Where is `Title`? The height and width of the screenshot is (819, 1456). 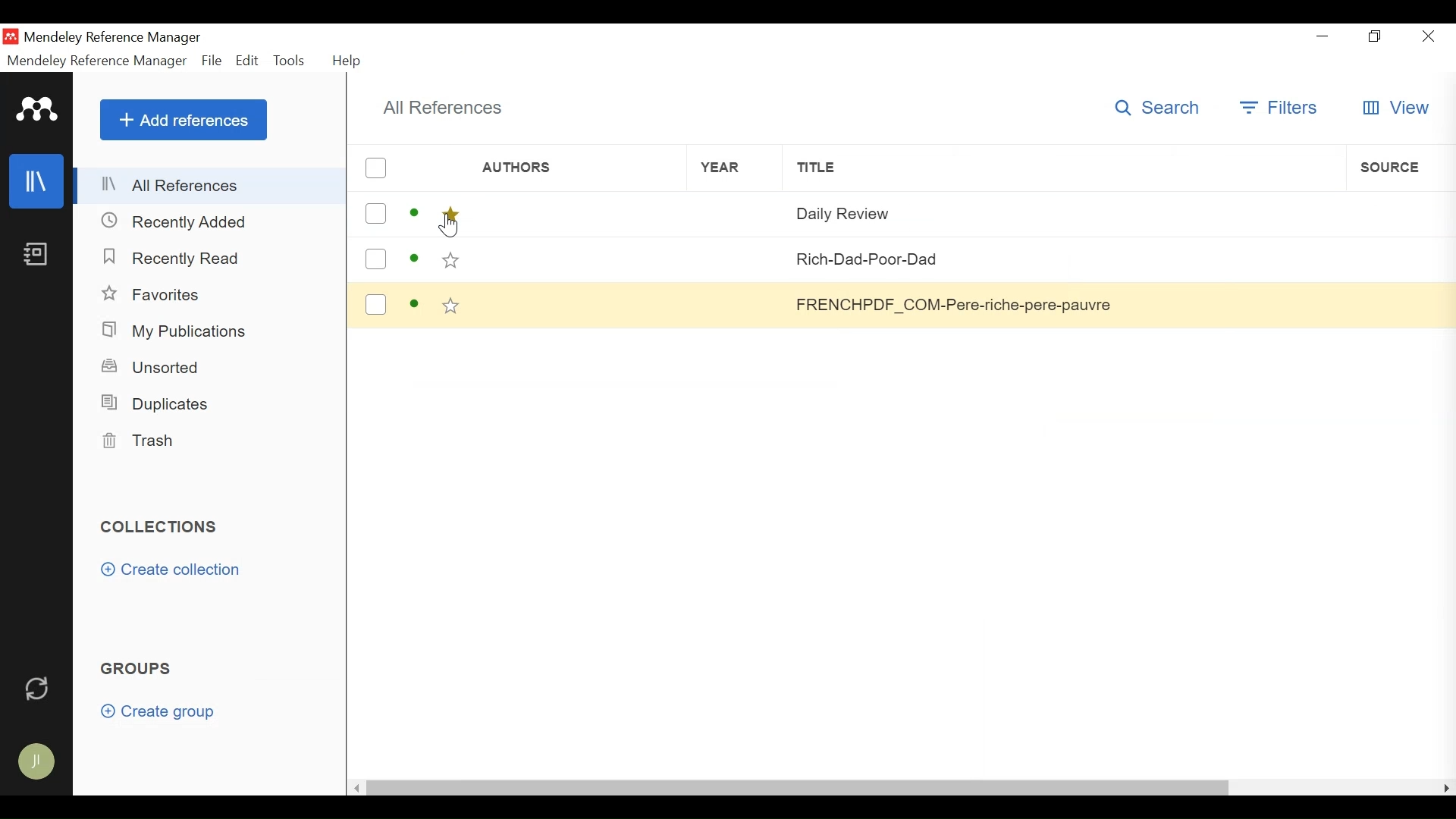
Title is located at coordinates (1053, 169).